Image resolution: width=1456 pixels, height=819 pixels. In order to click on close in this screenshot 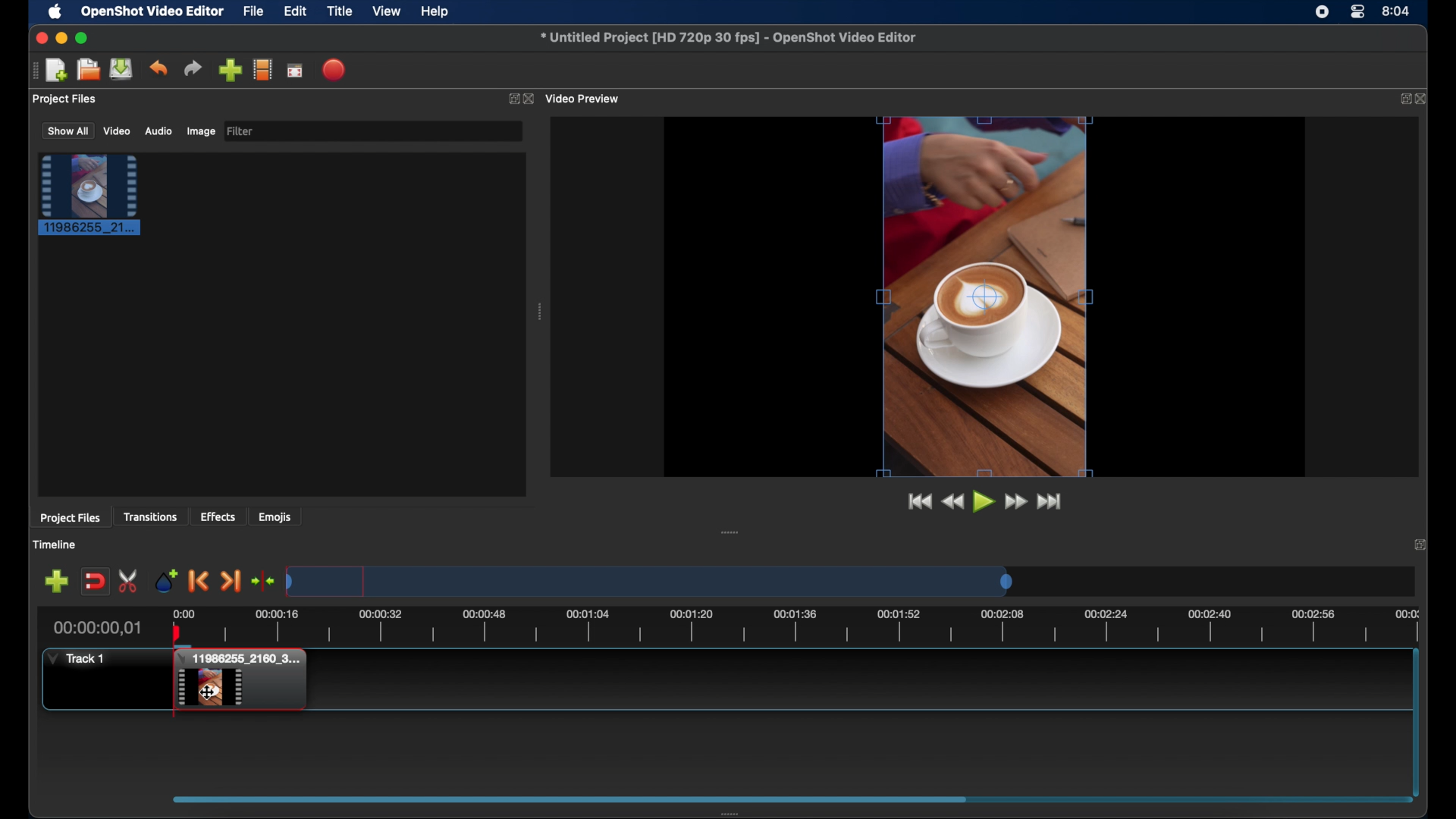, I will do `click(1424, 99)`.